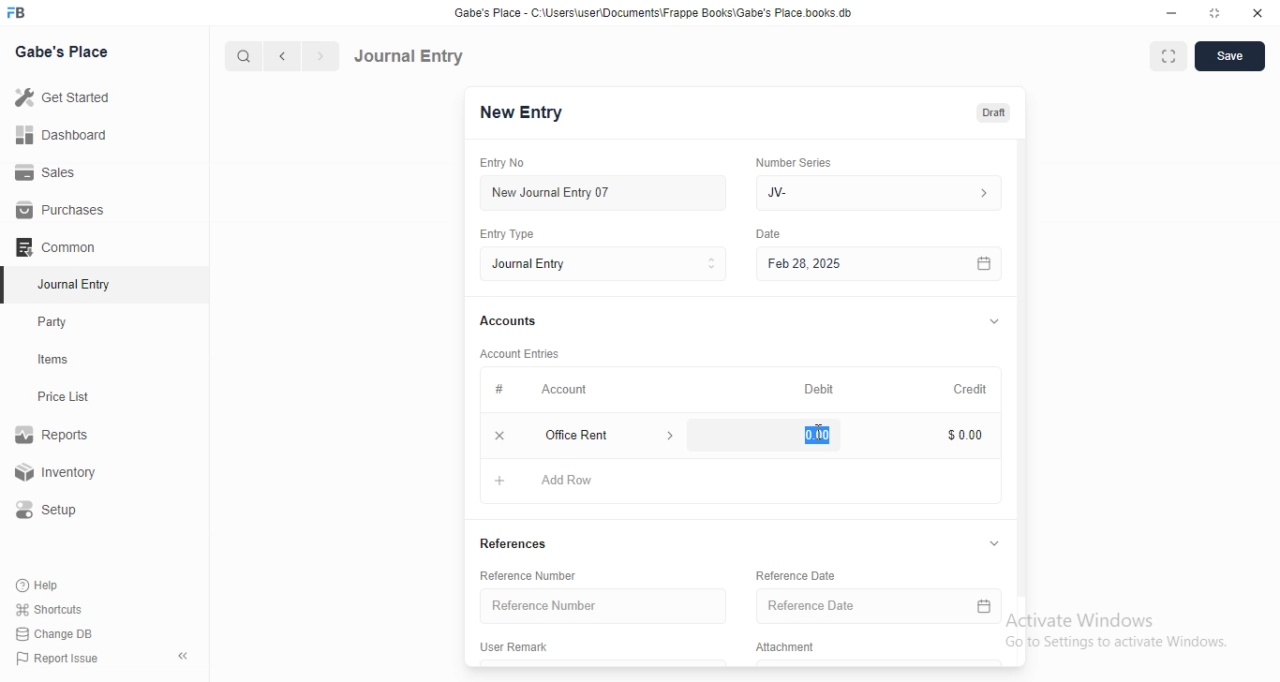 Image resolution: width=1280 pixels, height=682 pixels. What do you see at coordinates (64, 51) in the screenshot?
I see `Gabe's Place` at bounding box center [64, 51].